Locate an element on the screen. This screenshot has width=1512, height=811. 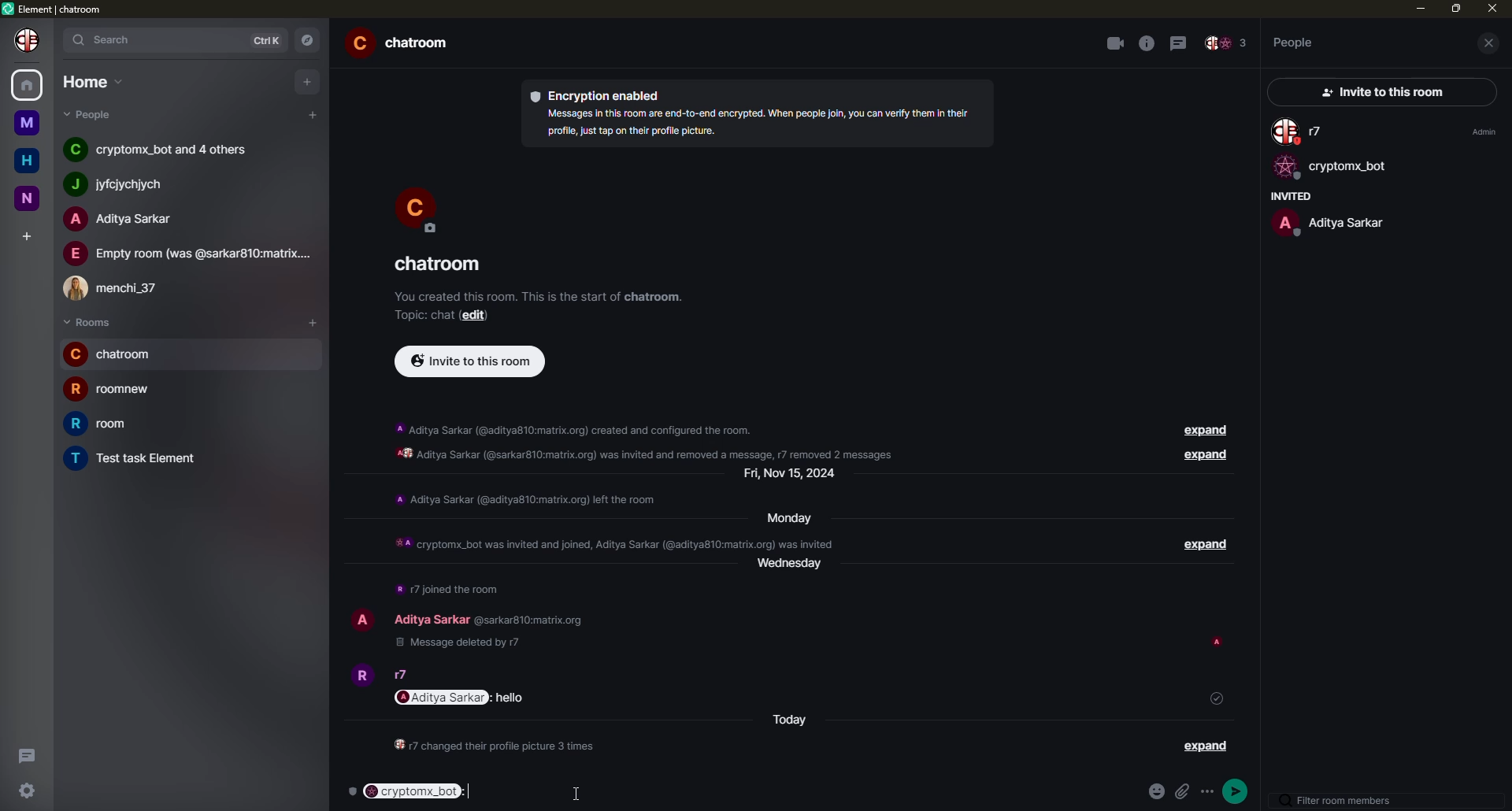
cursor is located at coordinates (580, 792).